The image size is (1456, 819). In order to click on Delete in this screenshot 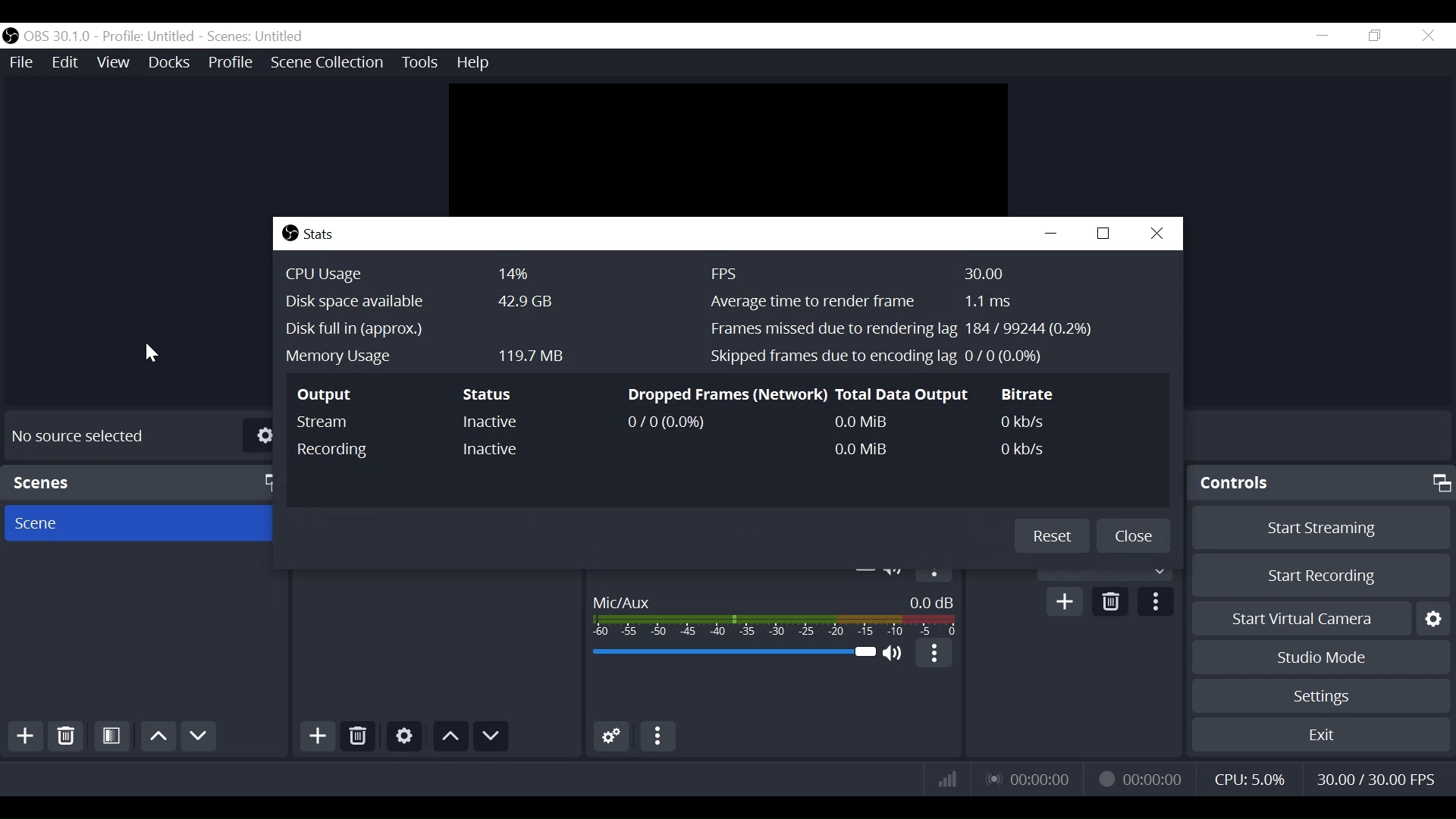, I will do `click(1109, 602)`.